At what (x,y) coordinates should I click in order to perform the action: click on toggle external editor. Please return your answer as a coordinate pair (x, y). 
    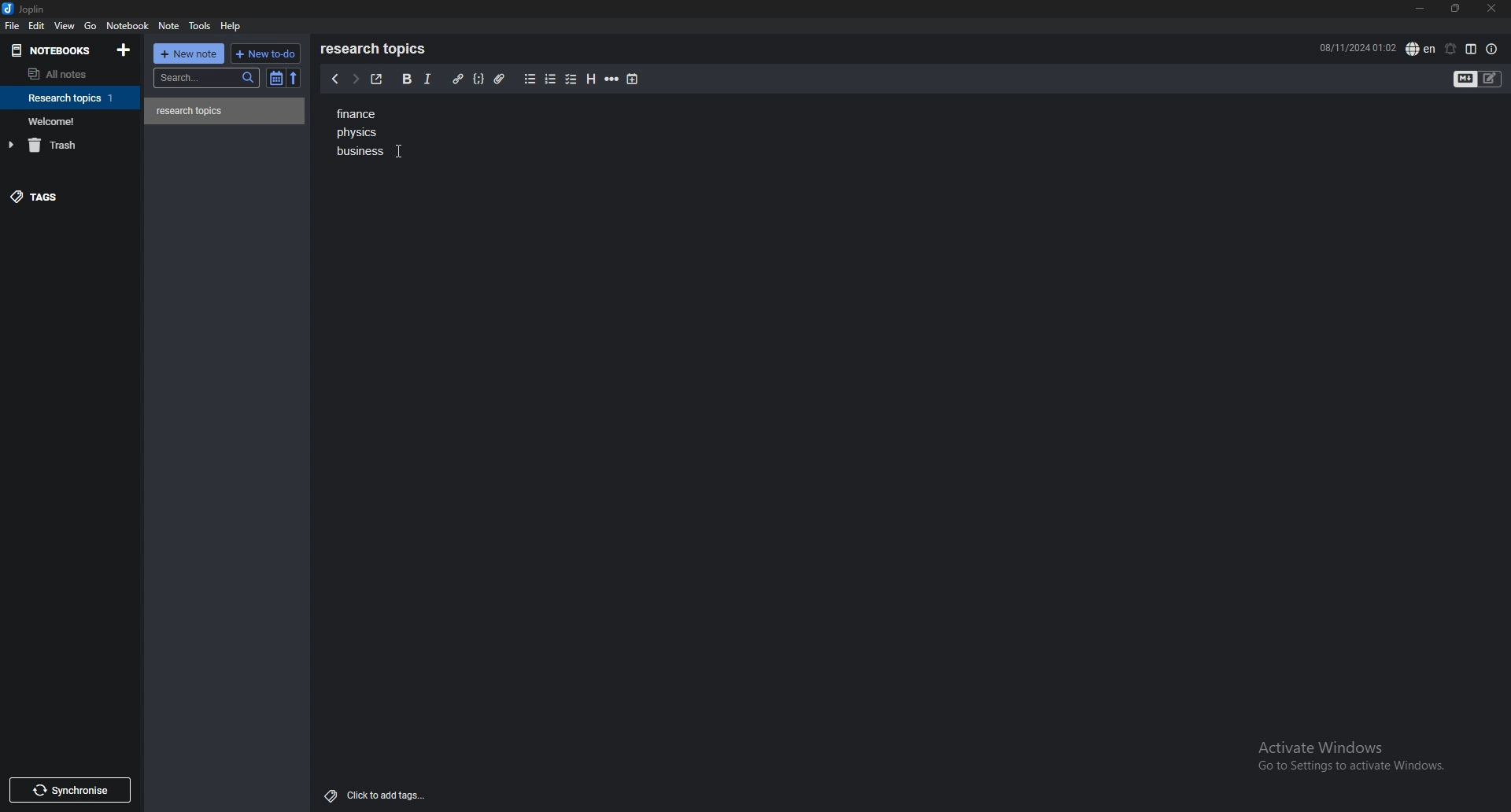
    Looking at the image, I should click on (375, 79).